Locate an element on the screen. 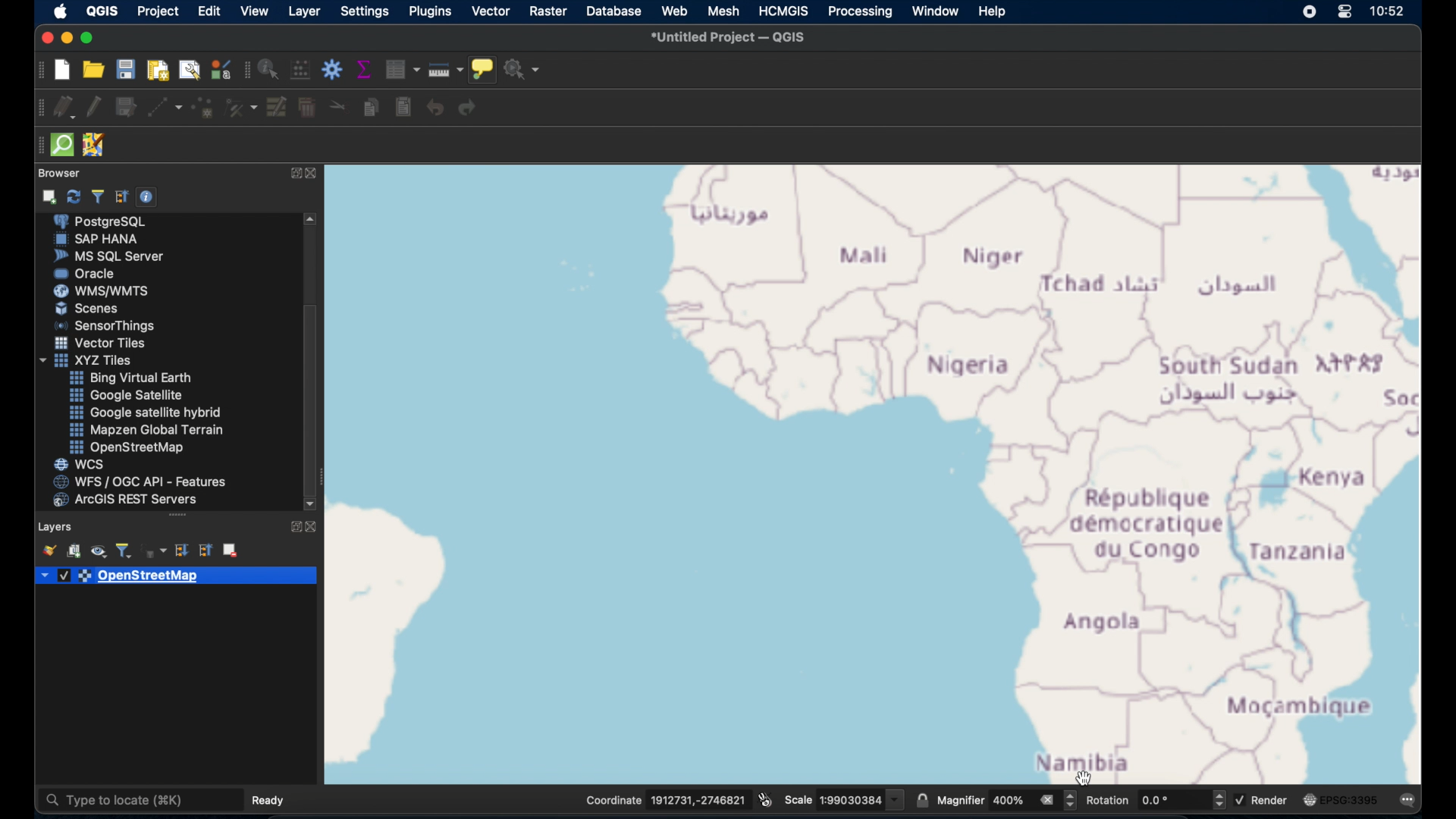 The image size is (1456, 819). time is located at coordinates (1390, 11).